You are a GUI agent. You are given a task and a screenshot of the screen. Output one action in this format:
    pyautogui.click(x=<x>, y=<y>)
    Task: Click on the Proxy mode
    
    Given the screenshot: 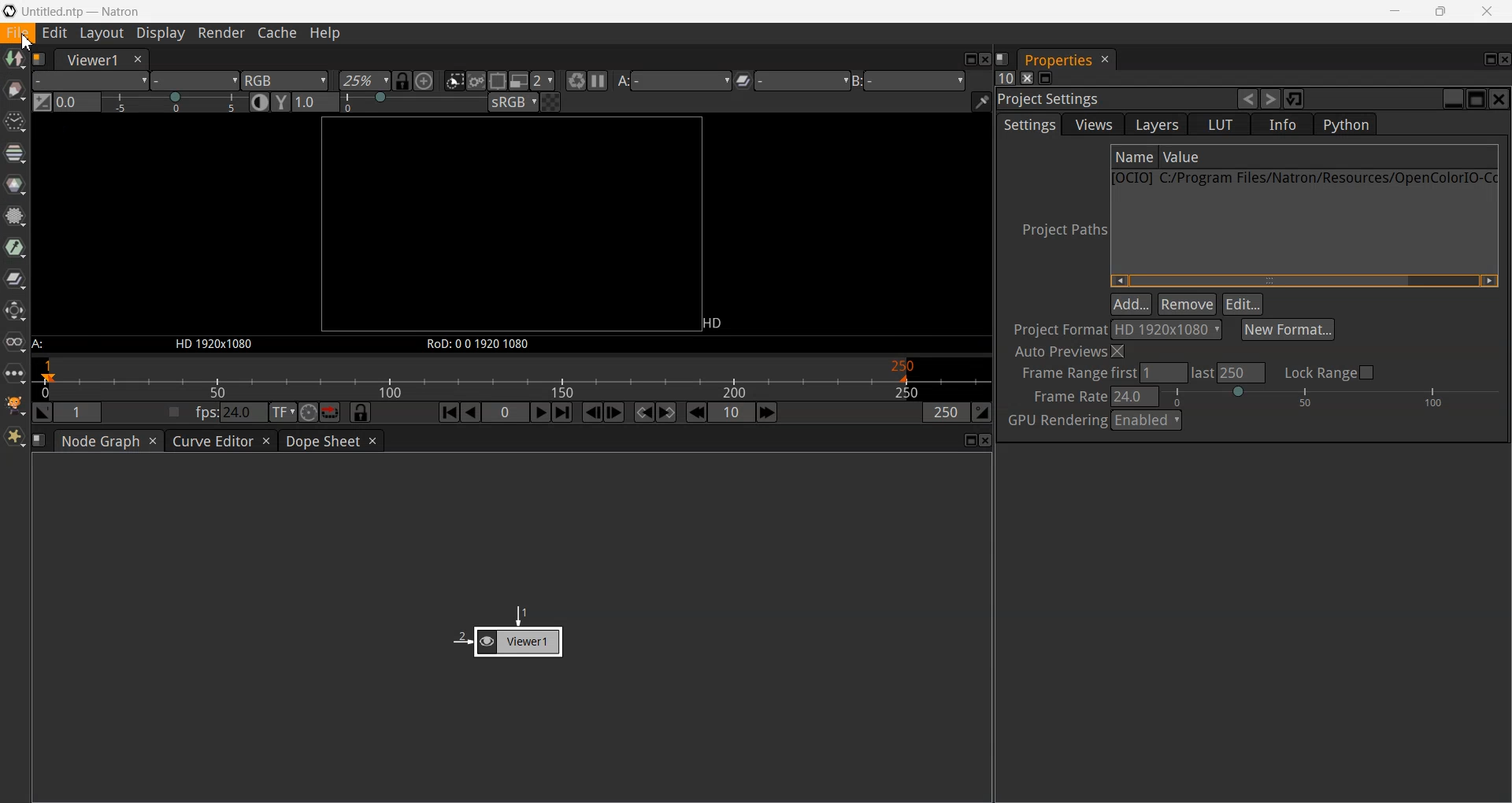 What is the action you would take?
    pyautogui.click(x=520, y=80)
    